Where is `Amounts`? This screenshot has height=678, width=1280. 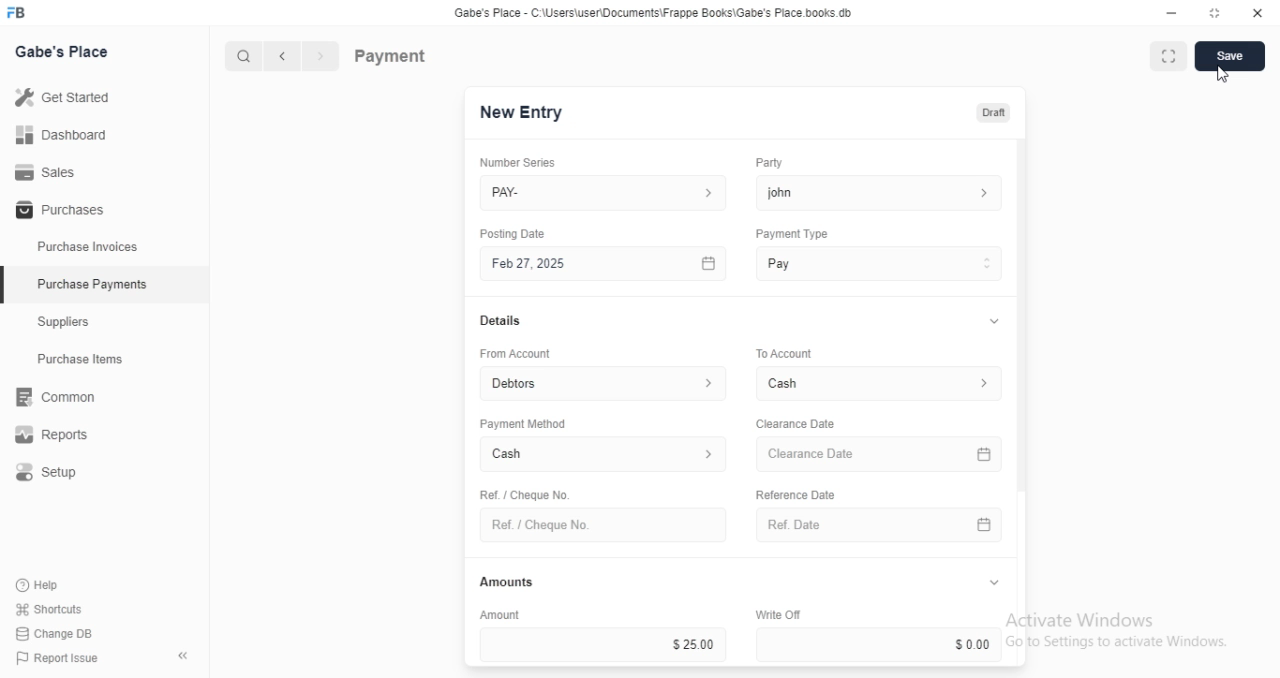 Amounts is located at coordinates (502, 582).